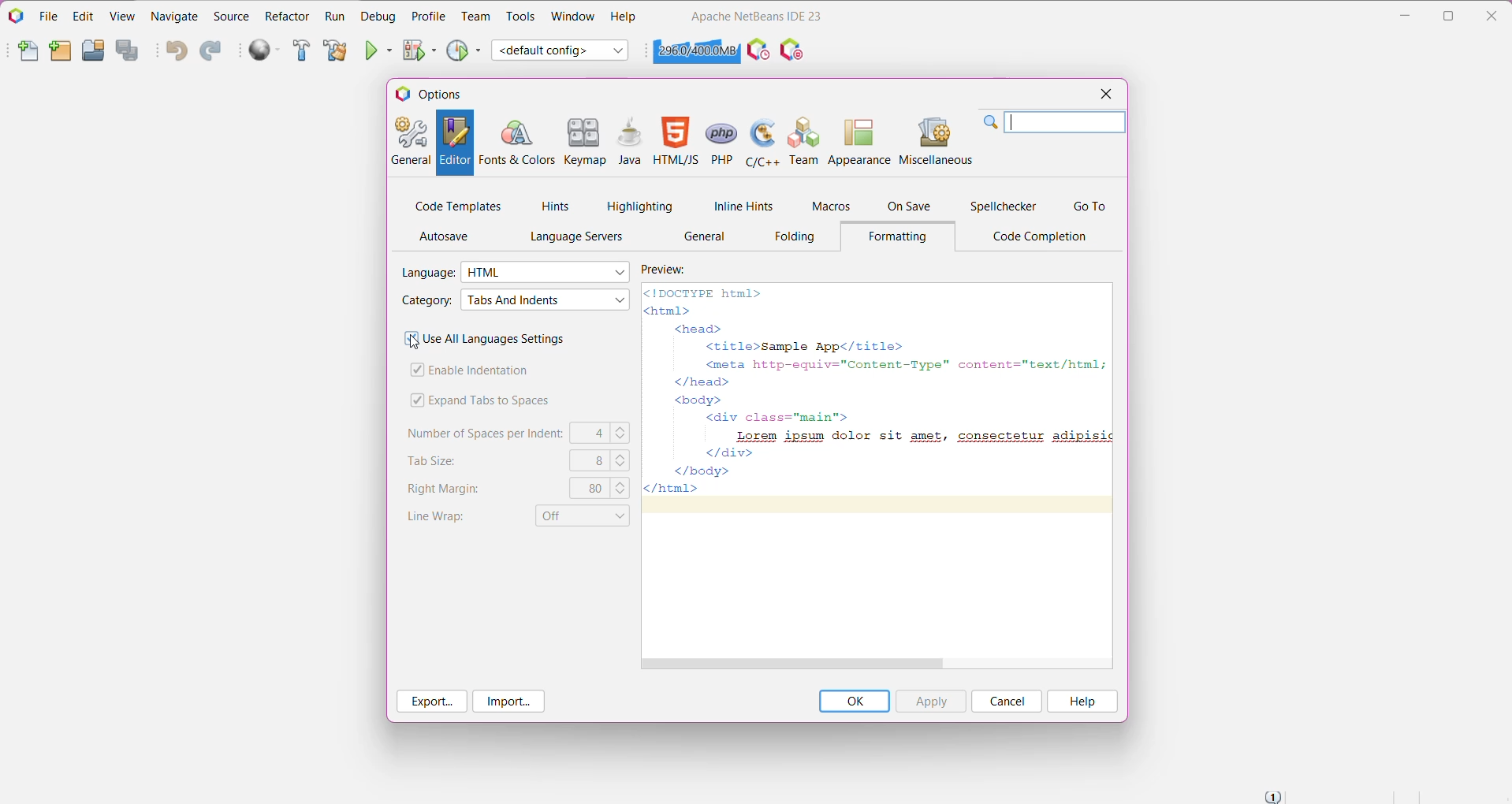 The width and height of the screenshot is (1512, 804). Describe the element at coordinates (572, 237) in the screenshot. I see `Language Servers` at that location.